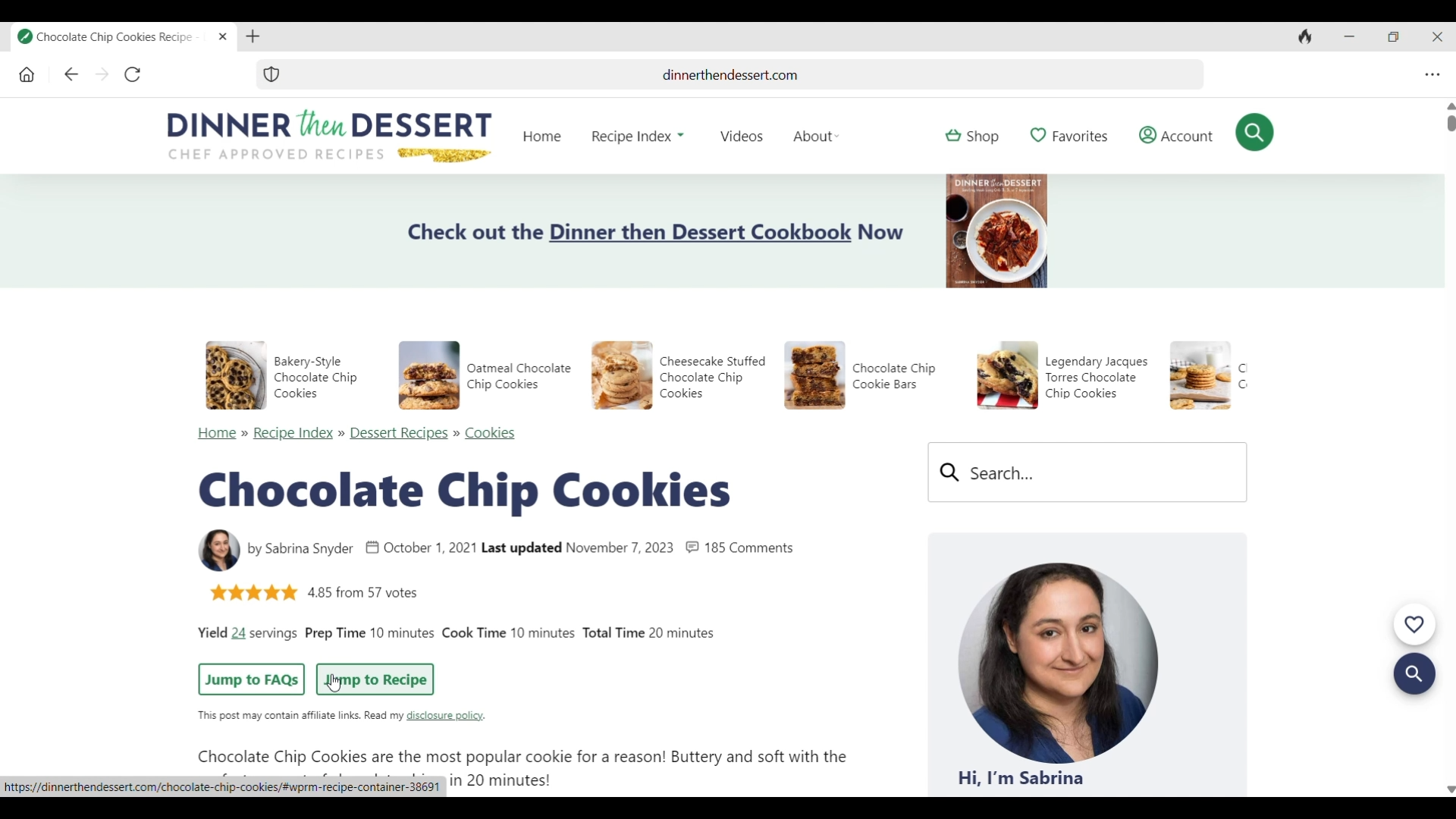 This screenshot has height=819, width=1456. I want to click on Clear browsing history, so click(1302, 38).